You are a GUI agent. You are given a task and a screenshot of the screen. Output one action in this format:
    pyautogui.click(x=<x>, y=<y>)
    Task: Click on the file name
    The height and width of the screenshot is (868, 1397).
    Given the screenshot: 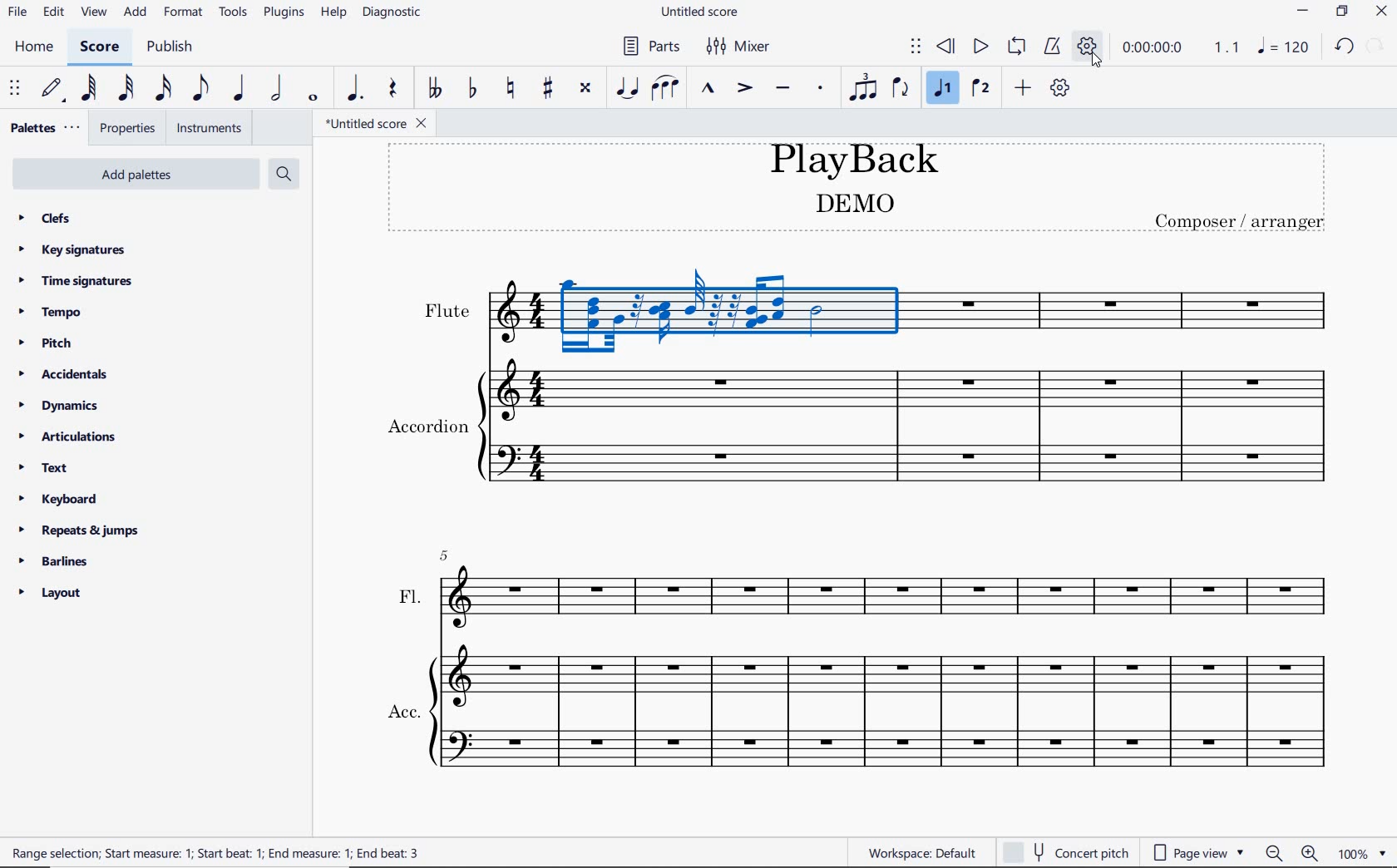 What is the action you would take?
    pyautogui.click(x=698, y=11)
    